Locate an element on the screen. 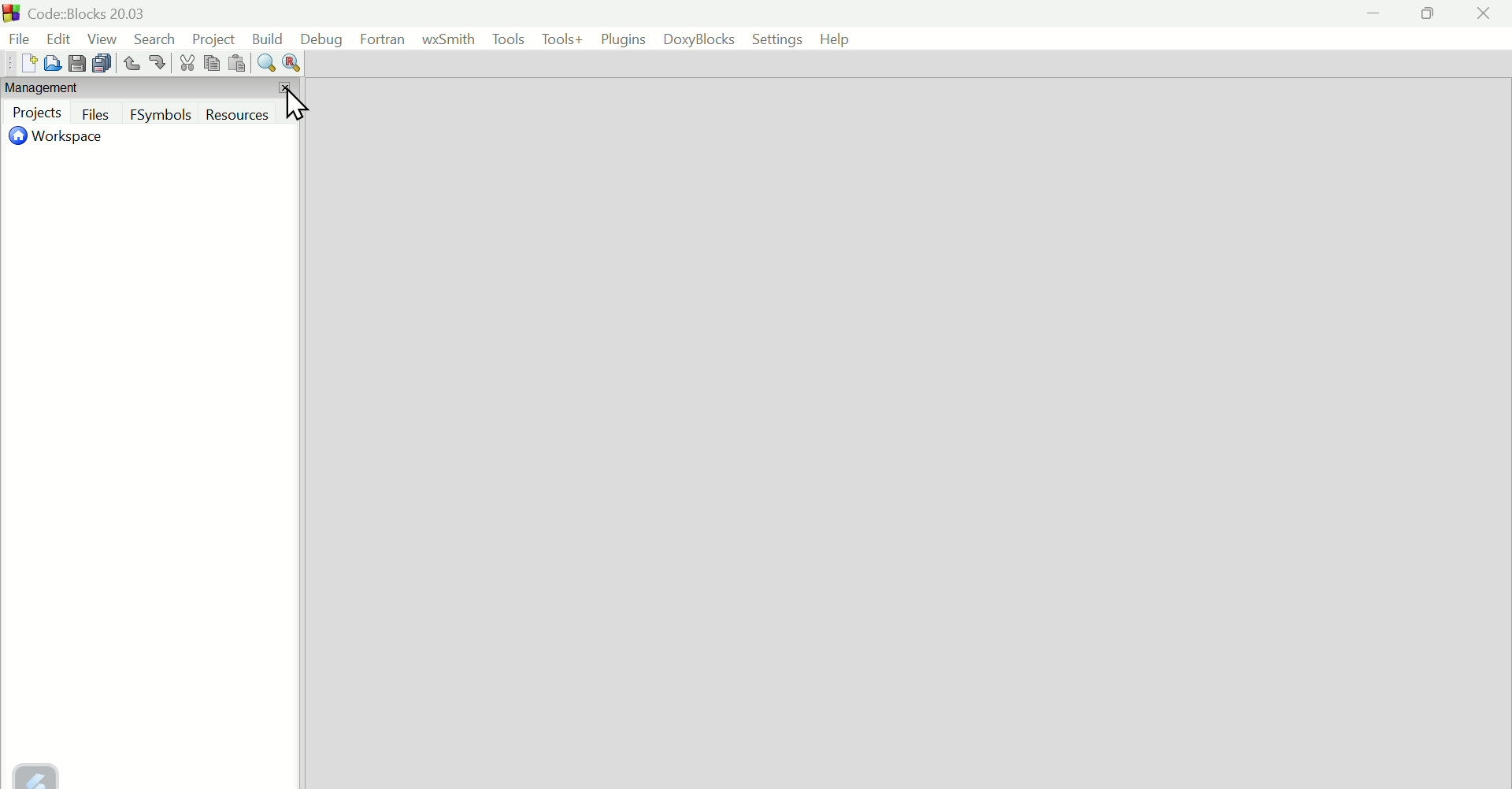  Save file is located at coordinates (78, 62).